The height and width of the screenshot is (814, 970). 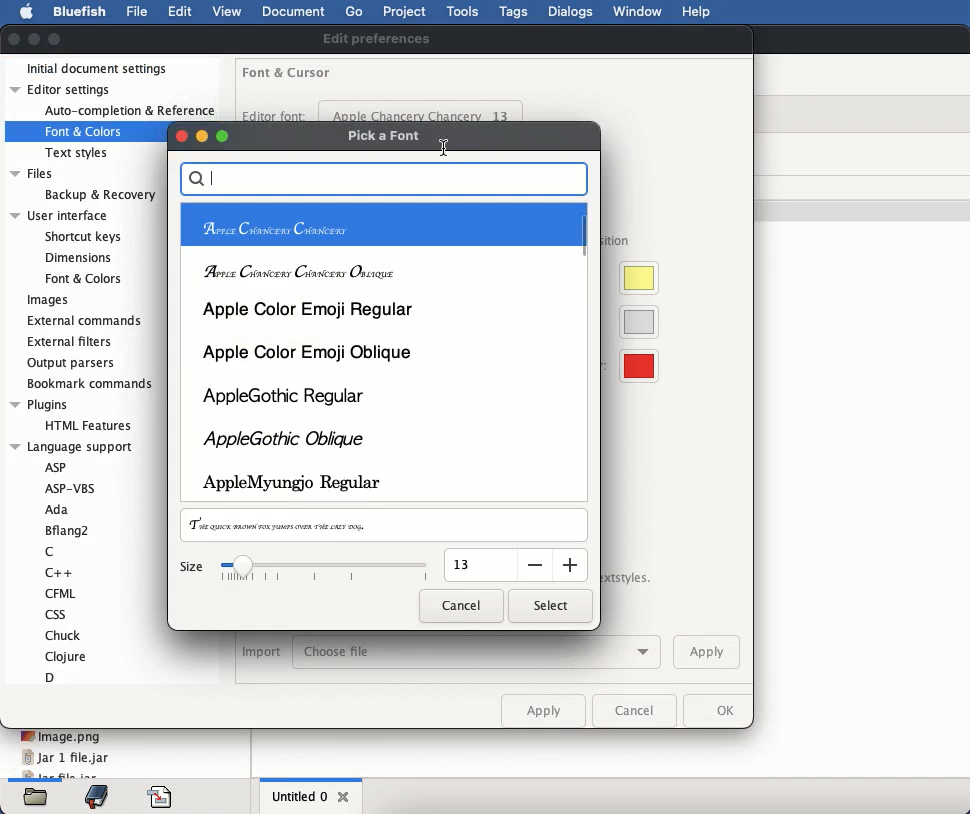 What do you see at coordinates (179, 11) in the screenshot?
I see `edit` at bounding box center [179, 11].